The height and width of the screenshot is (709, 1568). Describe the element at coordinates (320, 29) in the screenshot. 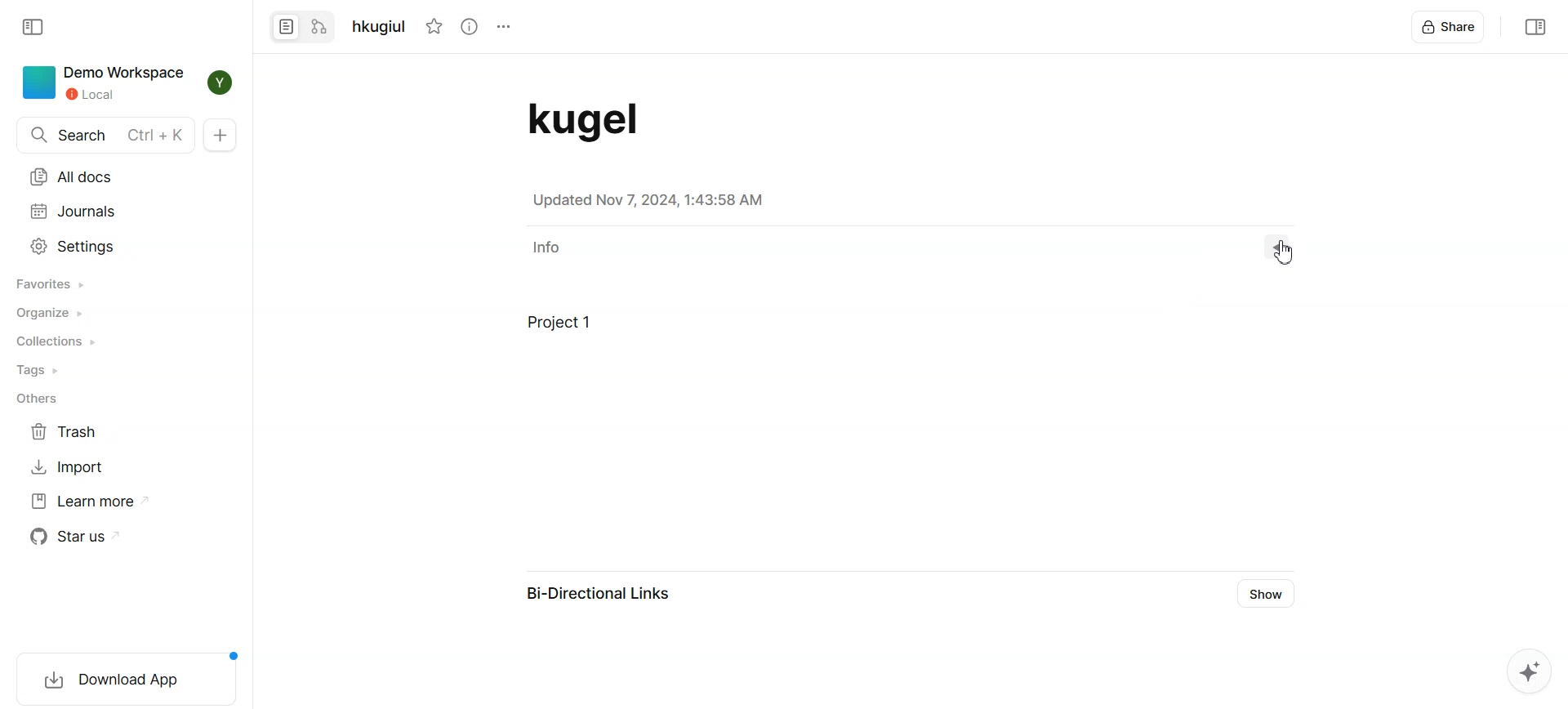

I see `Convert to edgeless` at that location.